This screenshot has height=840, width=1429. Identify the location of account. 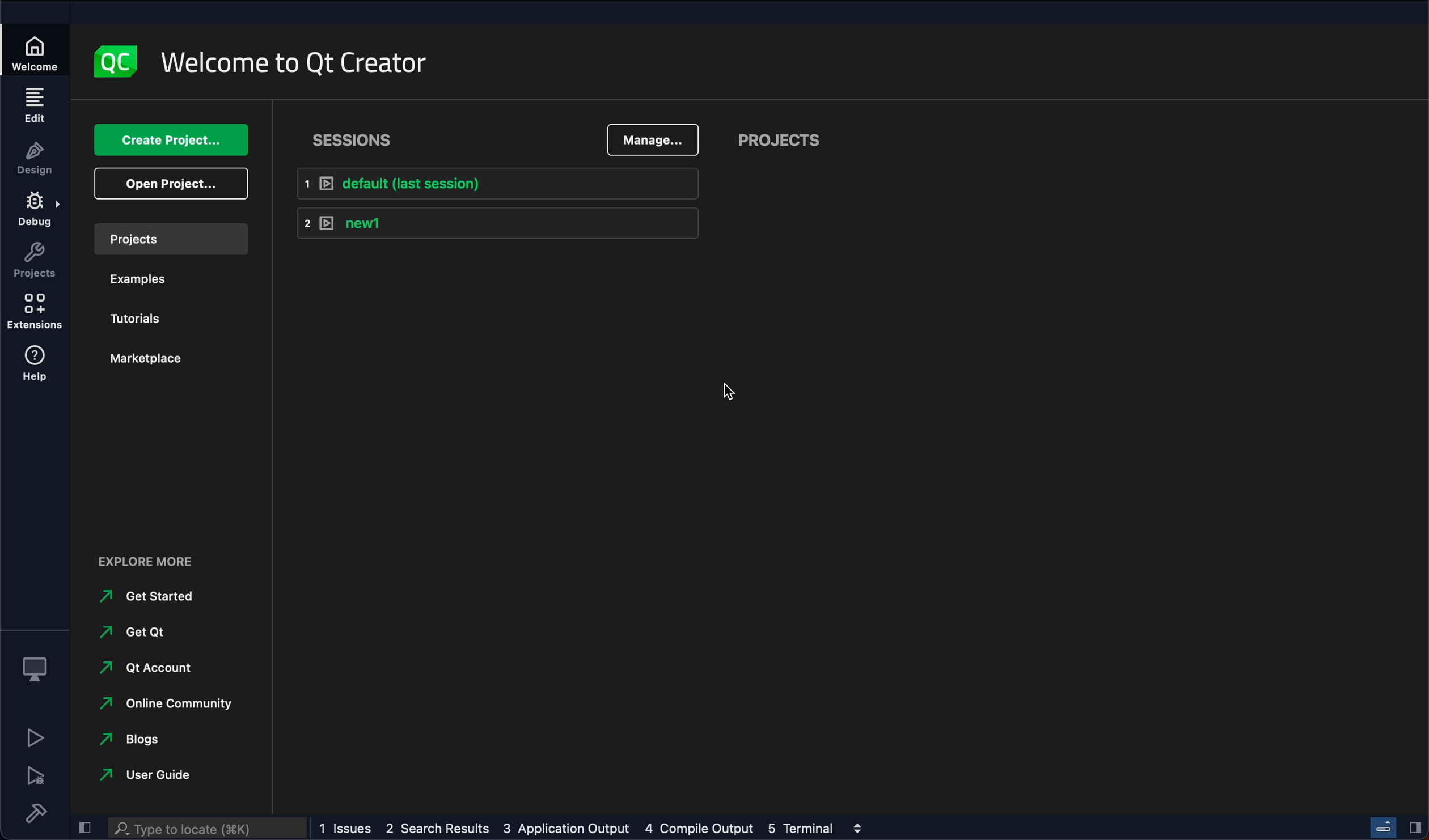
(150, 669).